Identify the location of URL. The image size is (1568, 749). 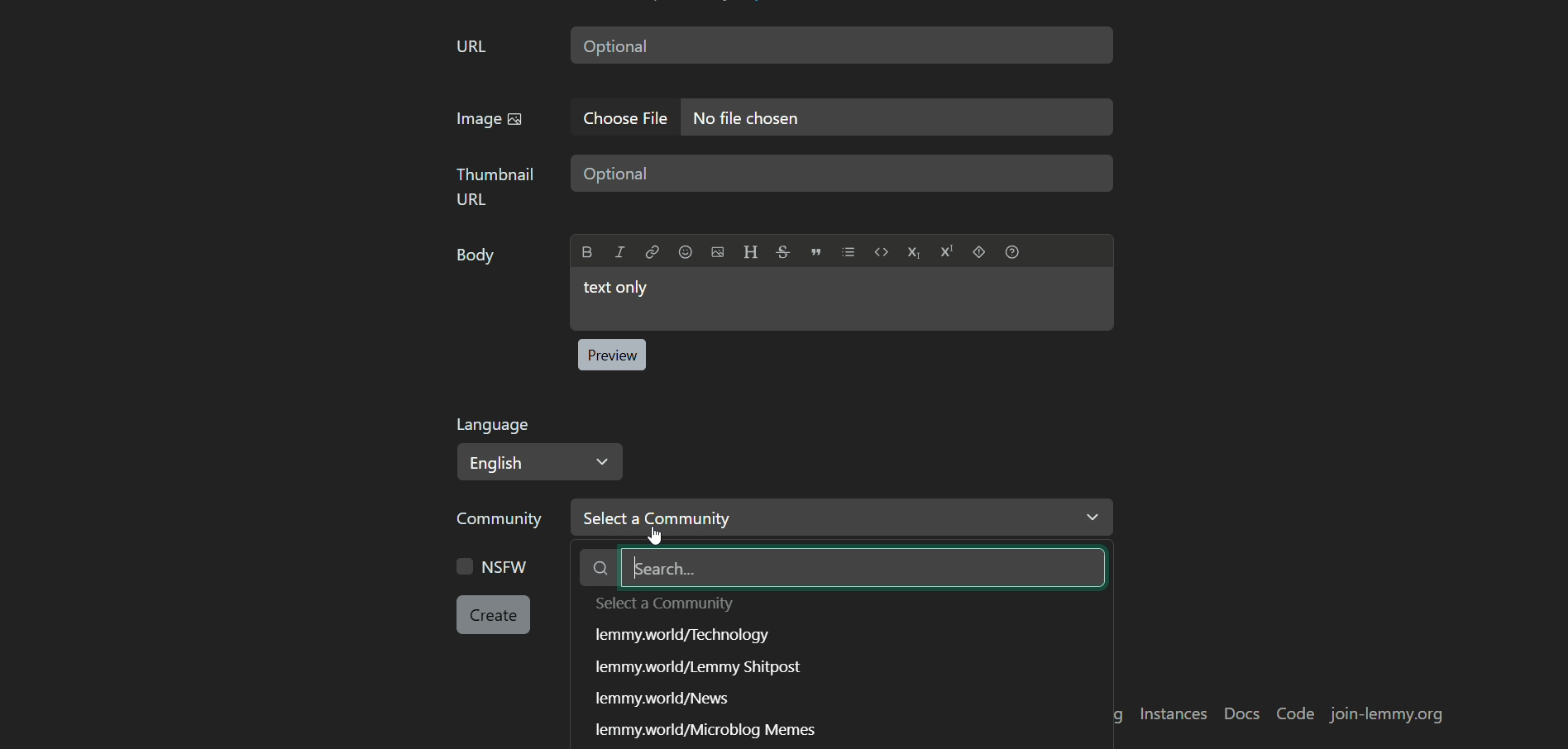
(471, 48).